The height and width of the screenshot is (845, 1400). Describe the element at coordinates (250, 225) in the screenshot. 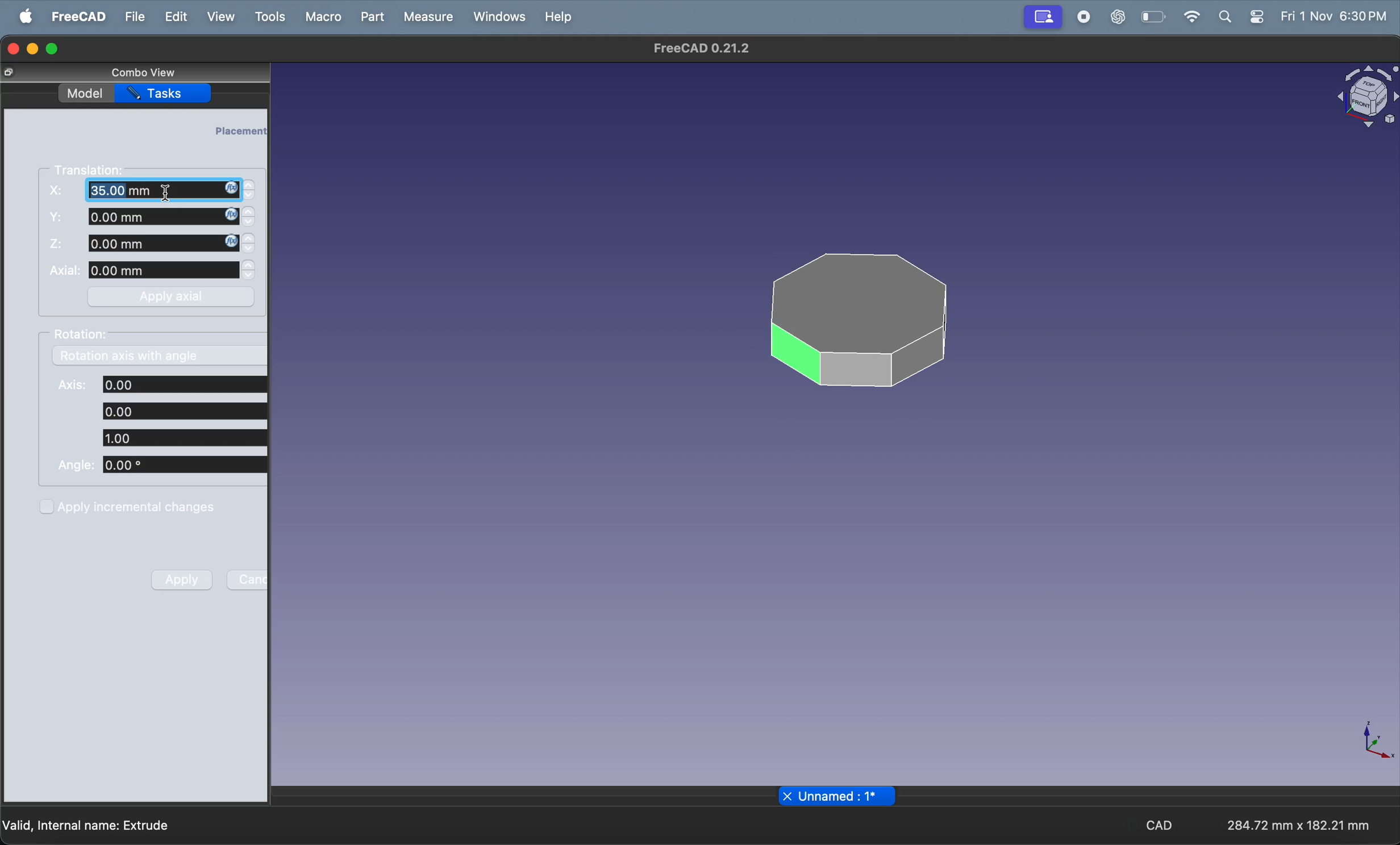

I see `down` at that location.